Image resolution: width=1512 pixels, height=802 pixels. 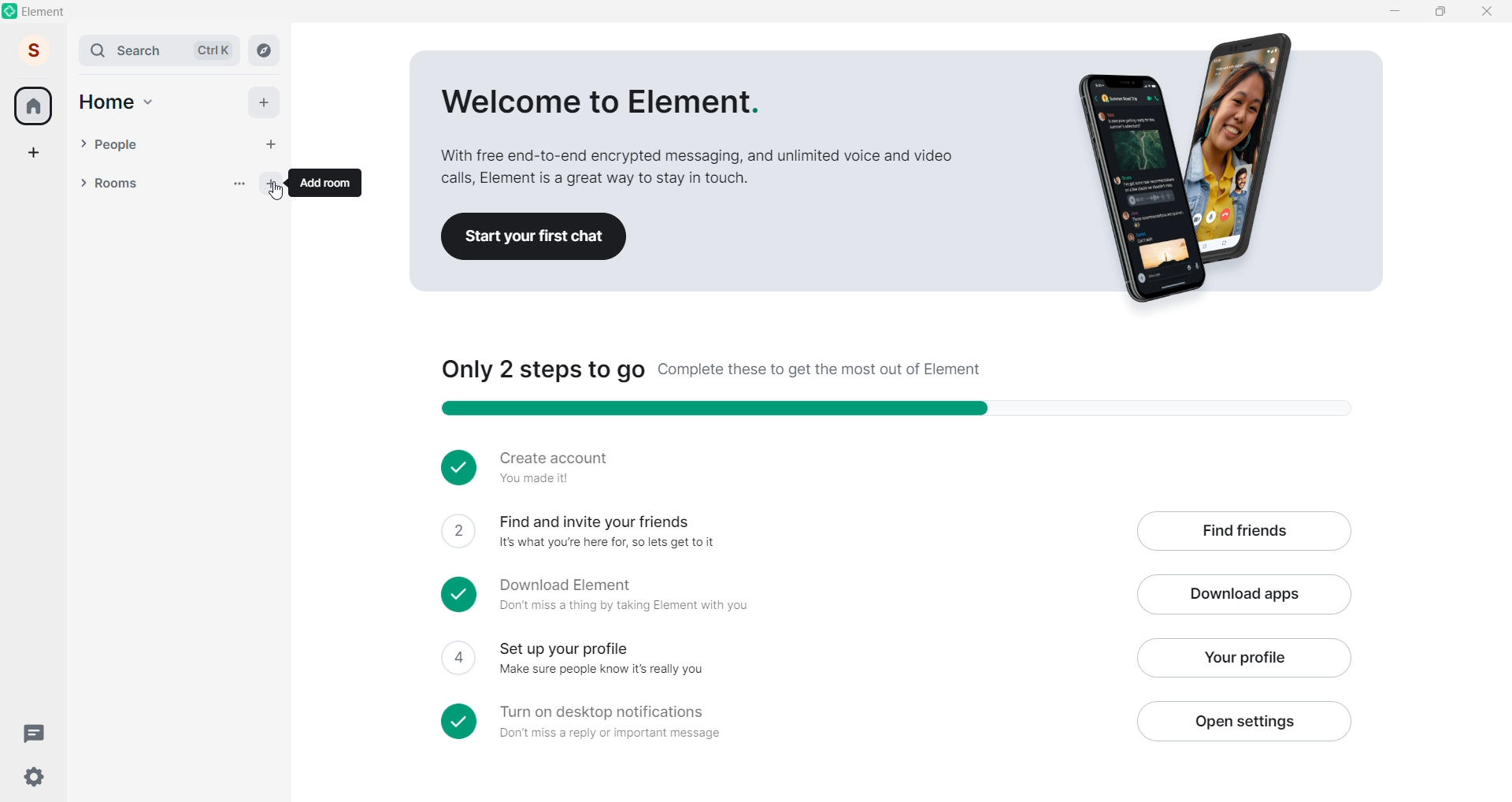 I want to click on Open Settings, so click(x=1243, y=721).